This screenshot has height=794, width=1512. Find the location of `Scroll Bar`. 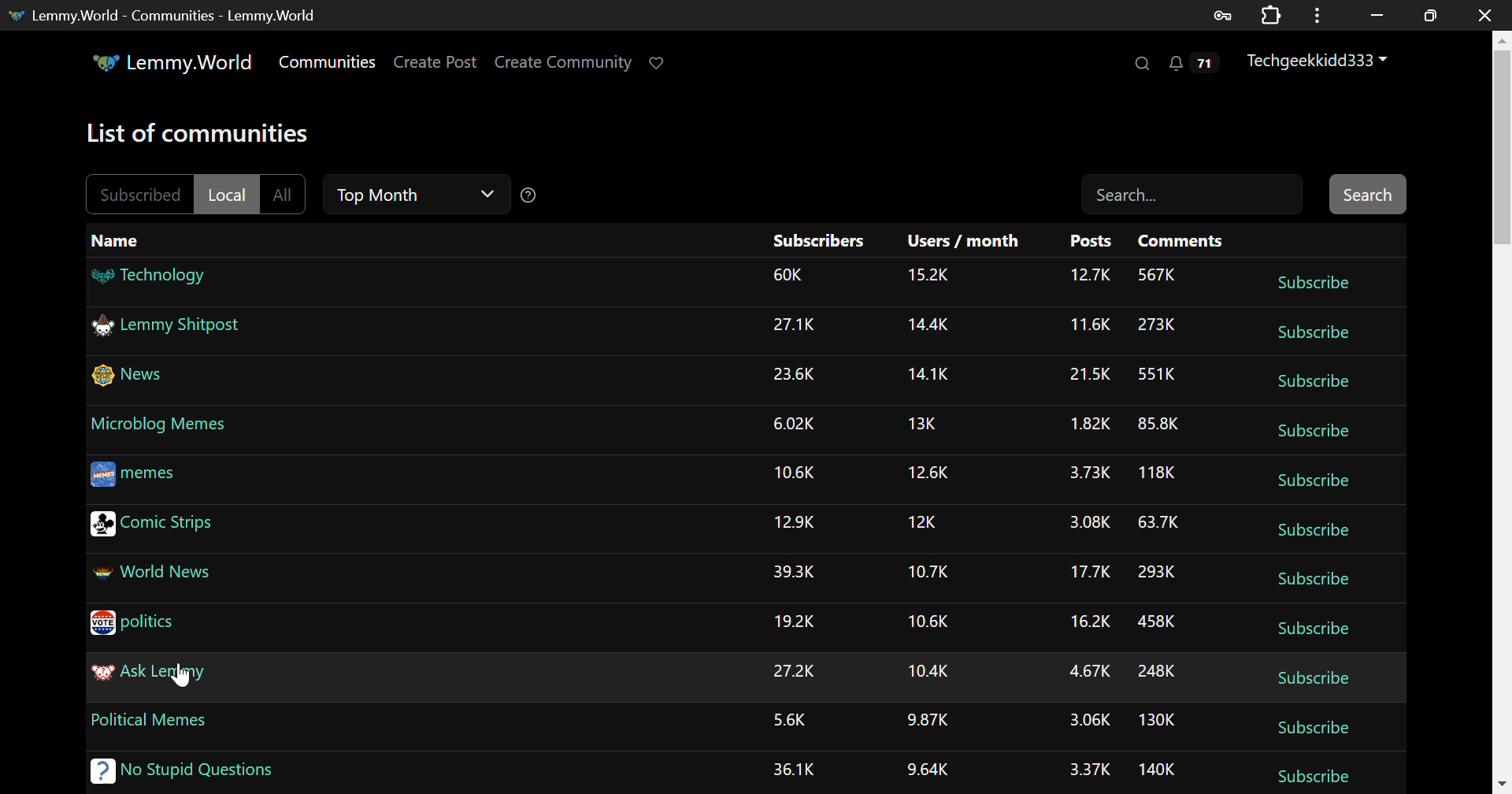

Scroll Bar is located at coordinates (1503, 404).